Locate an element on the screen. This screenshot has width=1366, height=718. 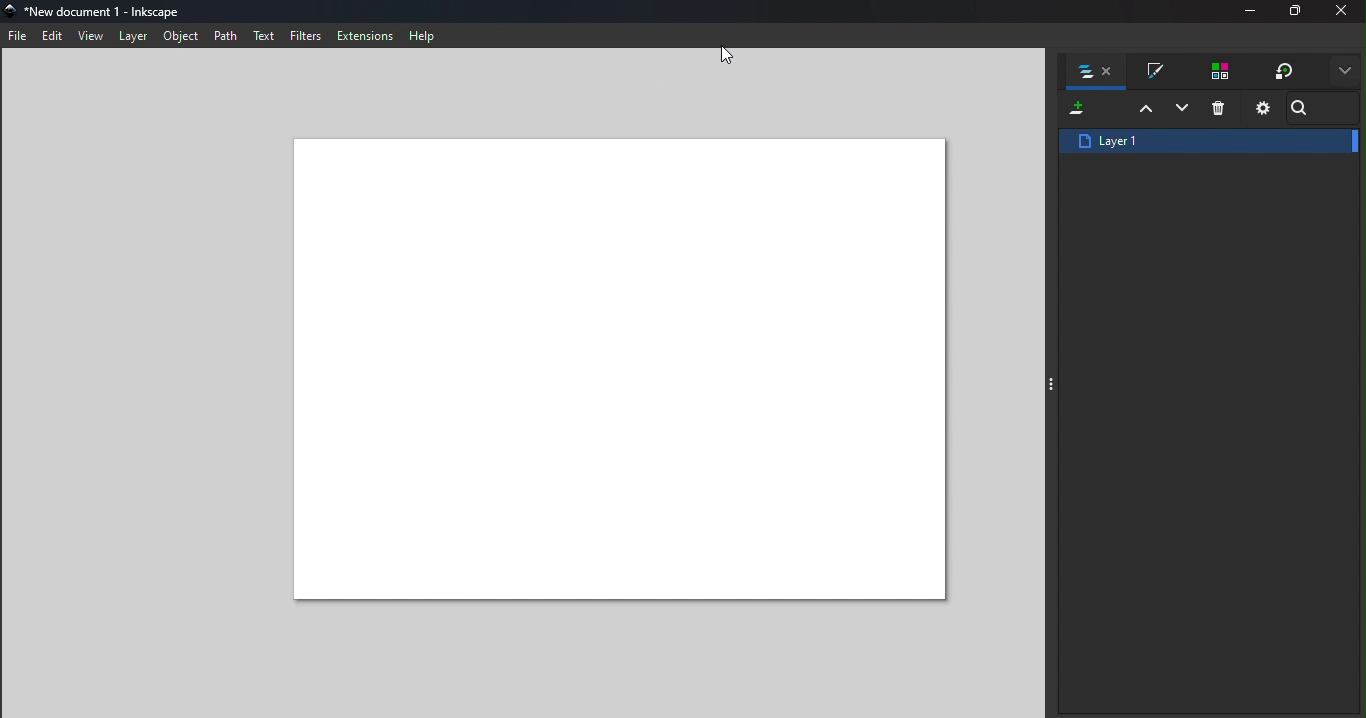
Maximize is located at coordinates (1303, 12).